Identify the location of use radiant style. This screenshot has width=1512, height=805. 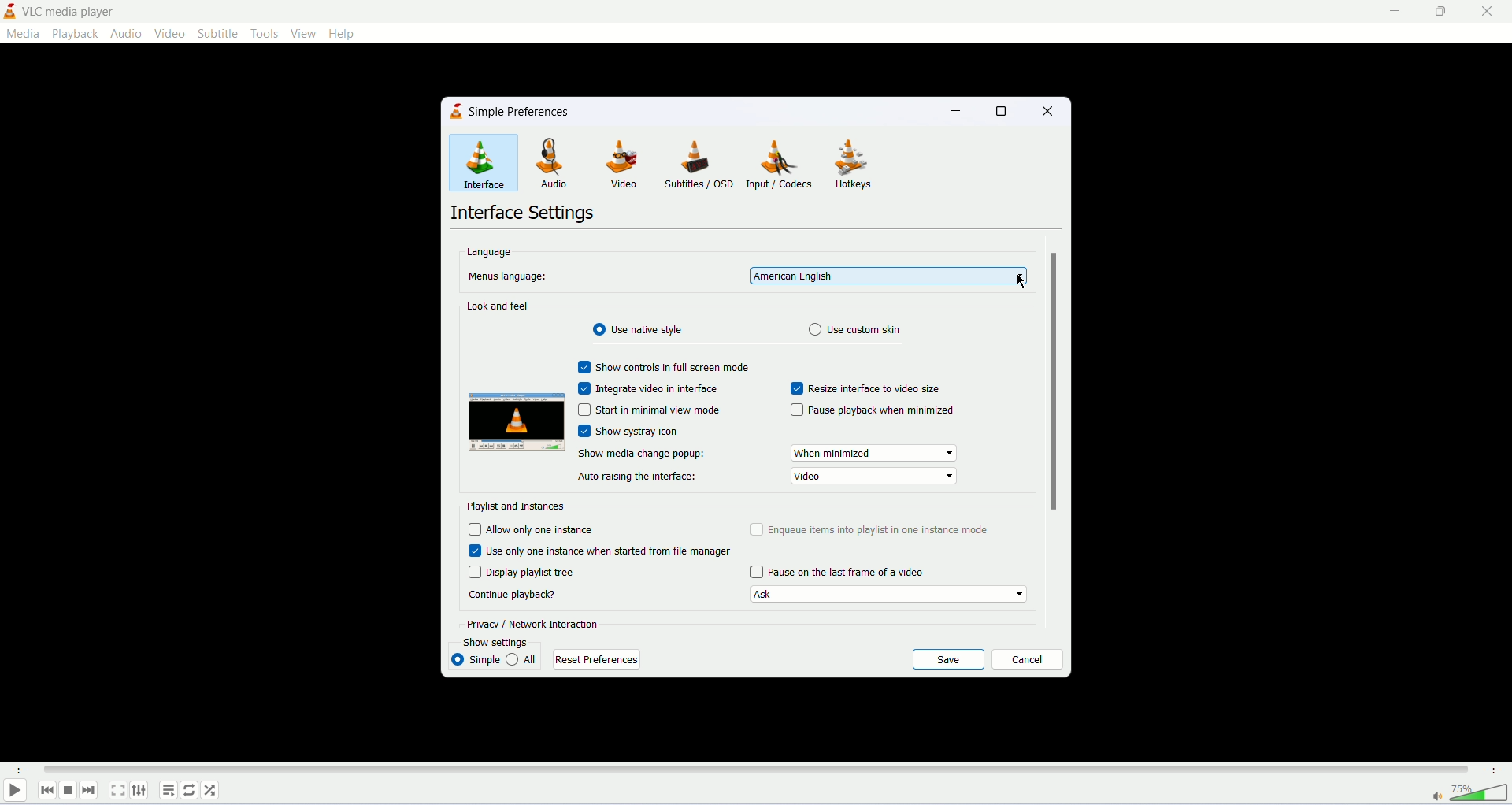
(642, 329).